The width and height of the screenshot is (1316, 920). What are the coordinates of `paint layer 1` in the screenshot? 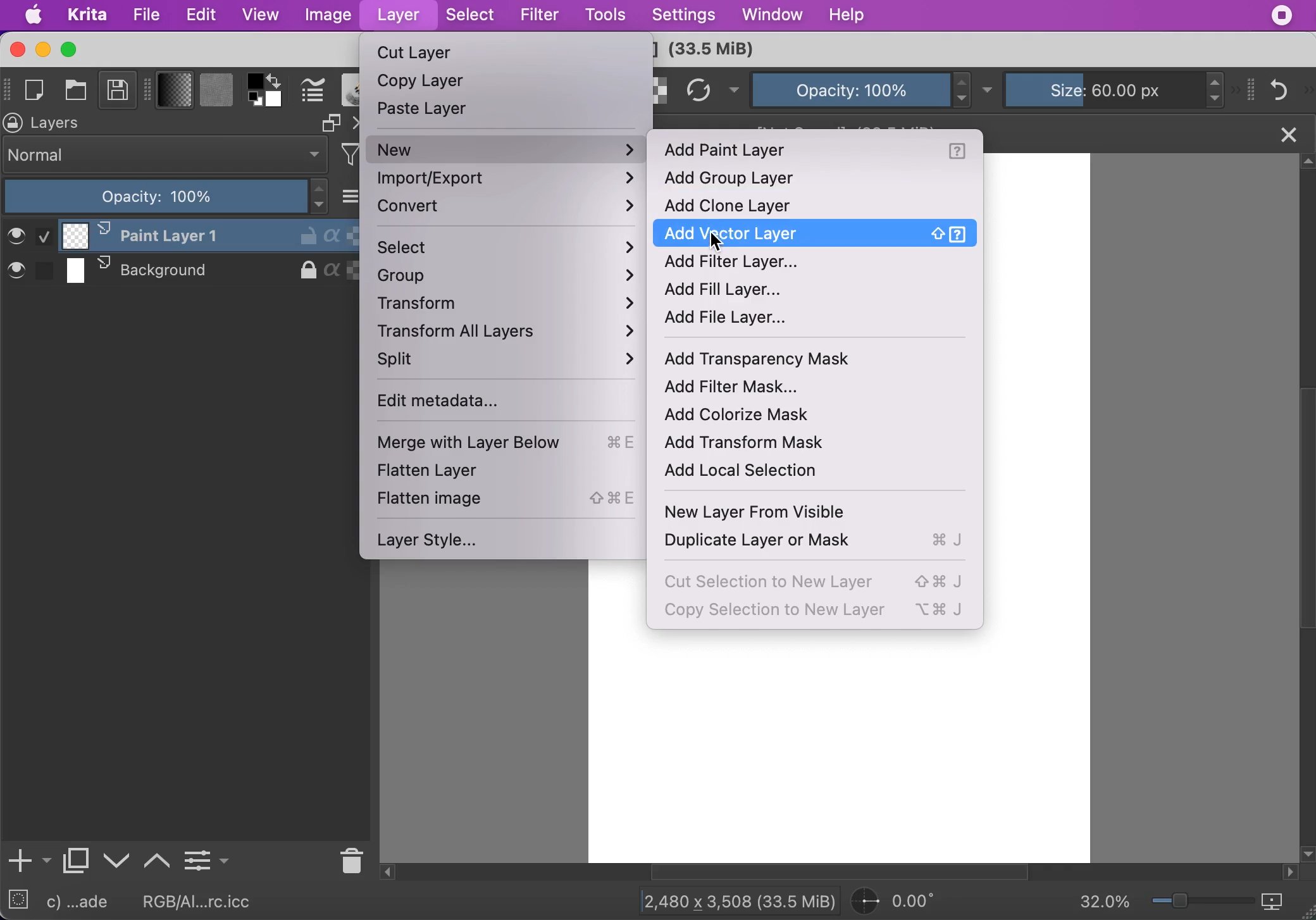 It's located at (178, 235).